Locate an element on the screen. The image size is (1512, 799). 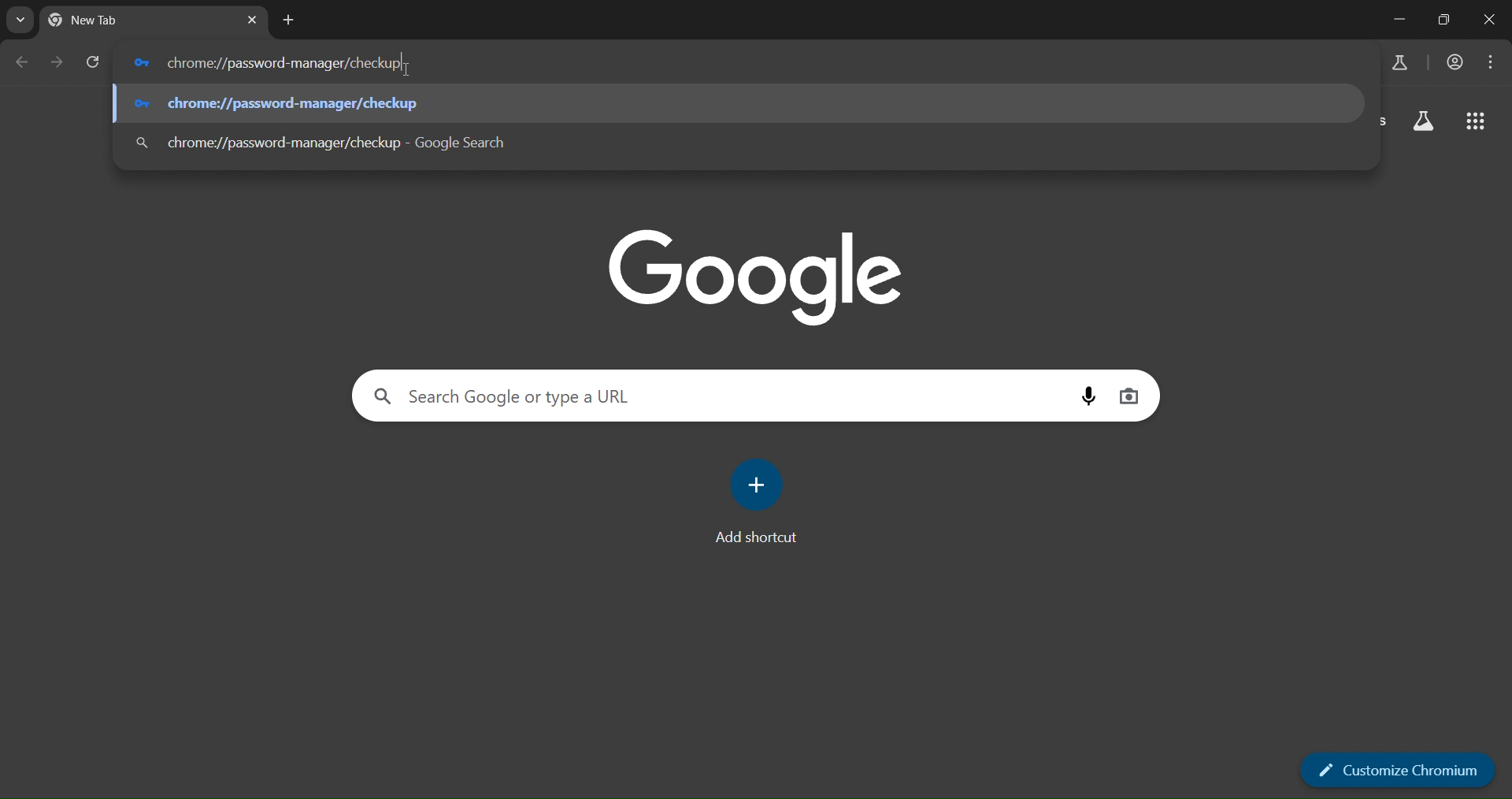
accounts is located at coordinates (1455, 62).